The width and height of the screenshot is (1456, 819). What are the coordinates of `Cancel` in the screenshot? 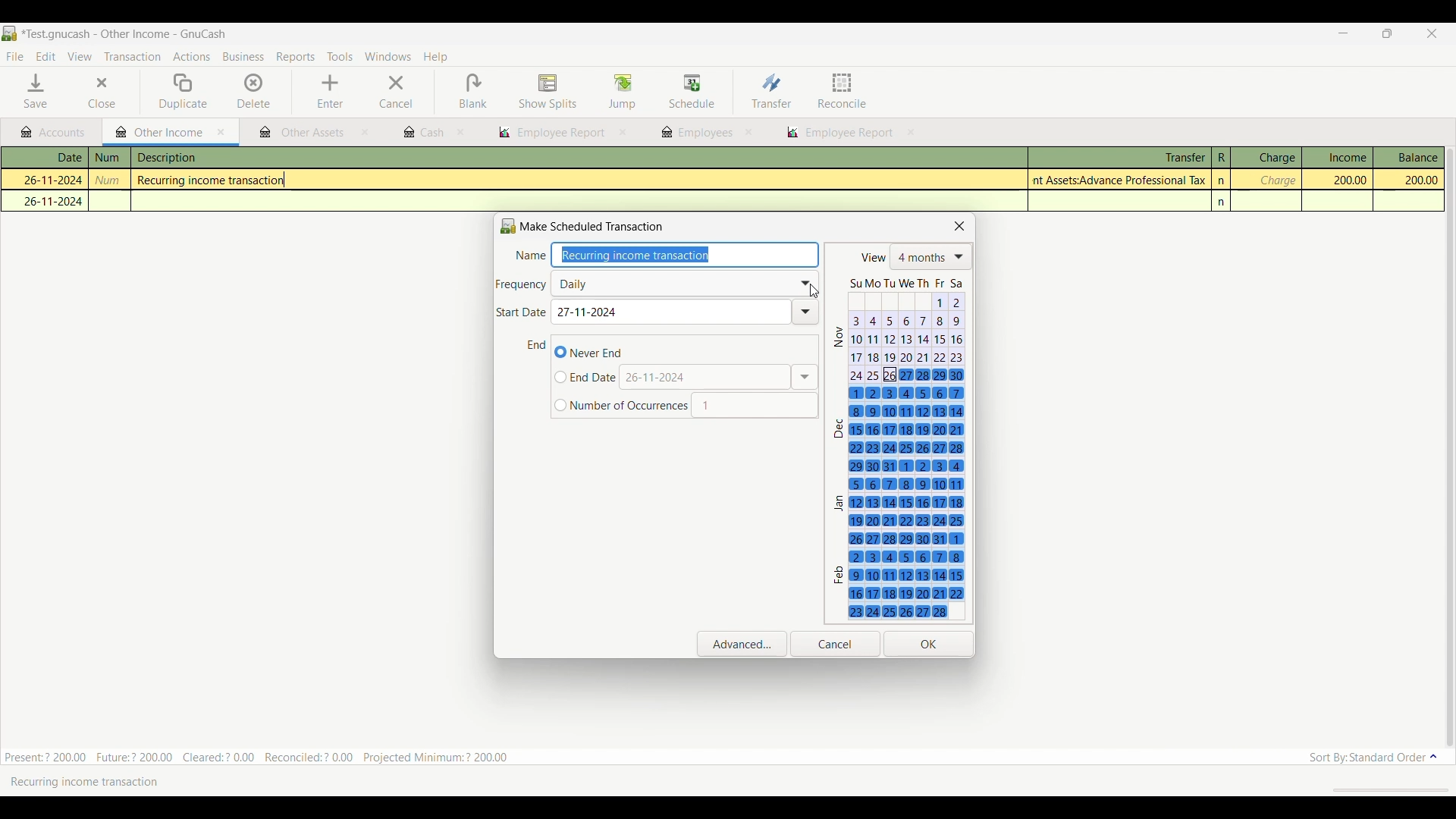 It's located at (396, 92).